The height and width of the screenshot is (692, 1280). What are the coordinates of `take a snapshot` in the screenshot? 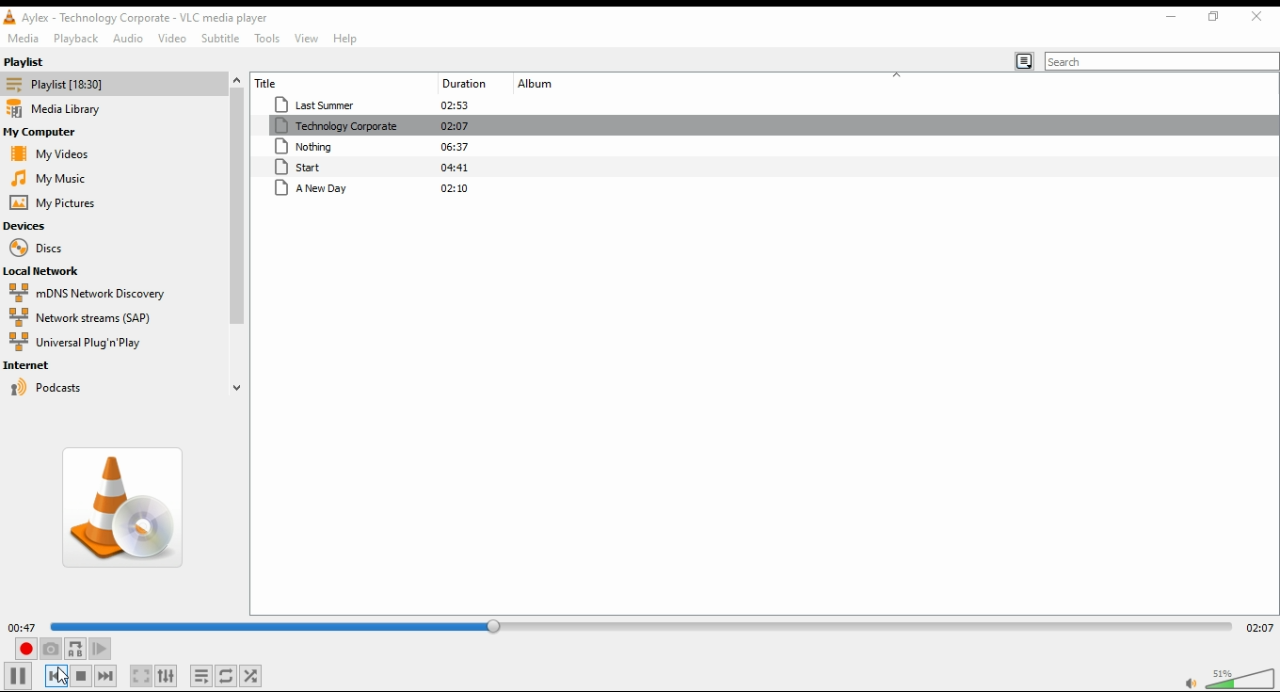 It's located at (50, 649).